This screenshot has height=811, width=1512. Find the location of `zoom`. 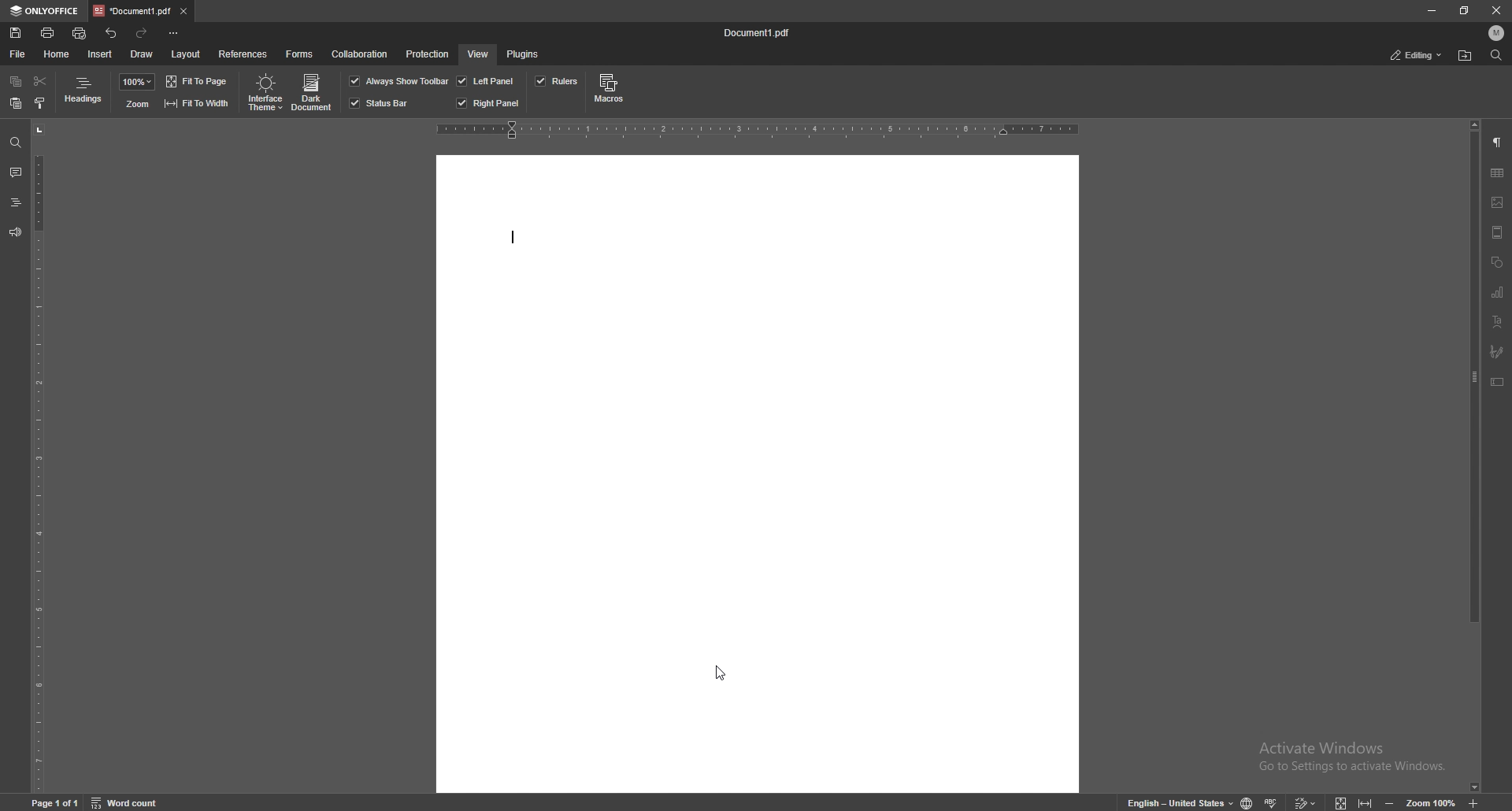

zoom is located at coordinates (137, 82).